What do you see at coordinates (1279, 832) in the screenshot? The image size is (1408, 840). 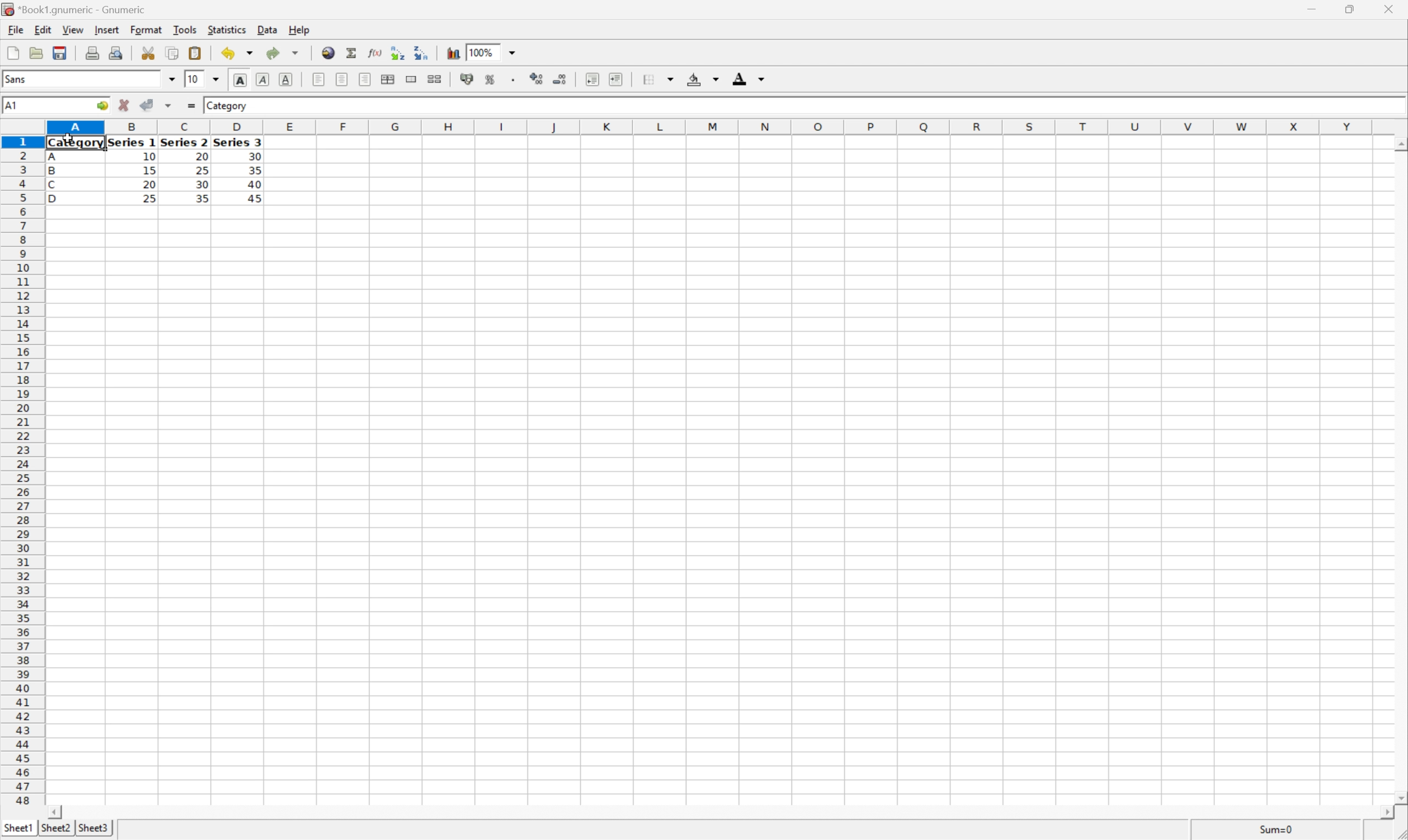 I see `Sum=0` at bounding box center [1279, 832].